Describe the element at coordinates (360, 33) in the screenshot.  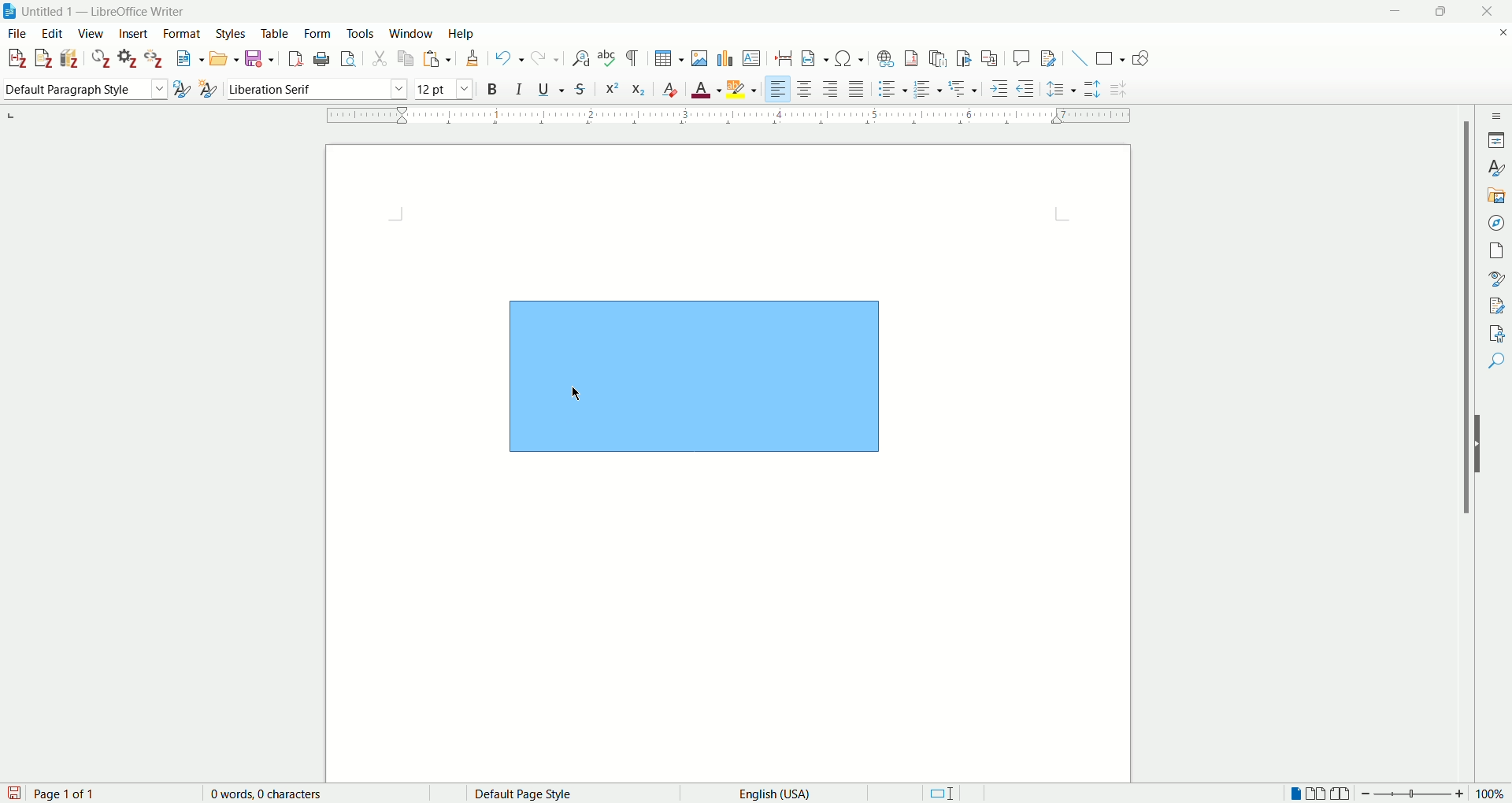
I see `tools` at that location.